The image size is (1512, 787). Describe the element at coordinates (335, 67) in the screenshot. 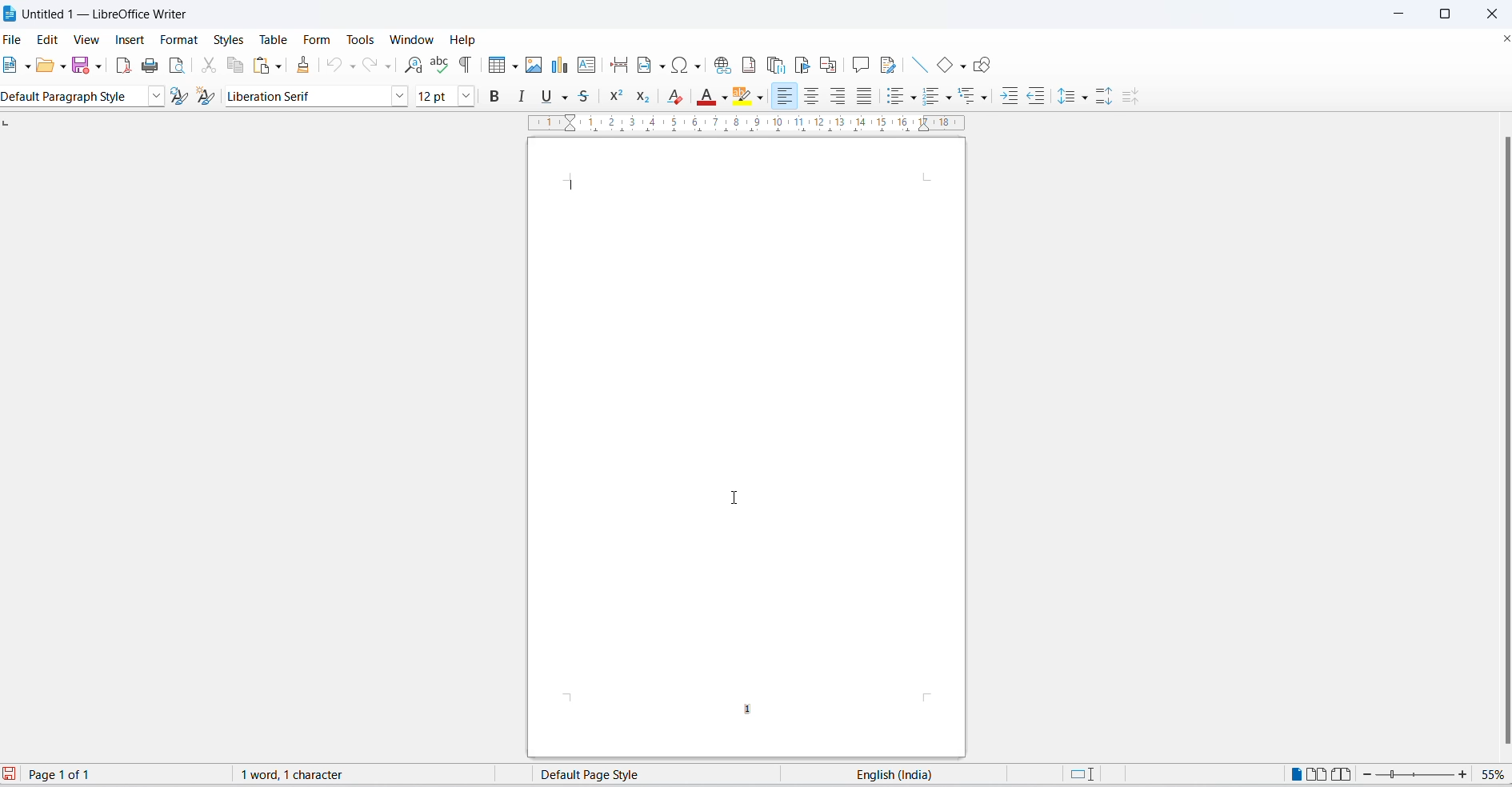

I see `undo` at that location.